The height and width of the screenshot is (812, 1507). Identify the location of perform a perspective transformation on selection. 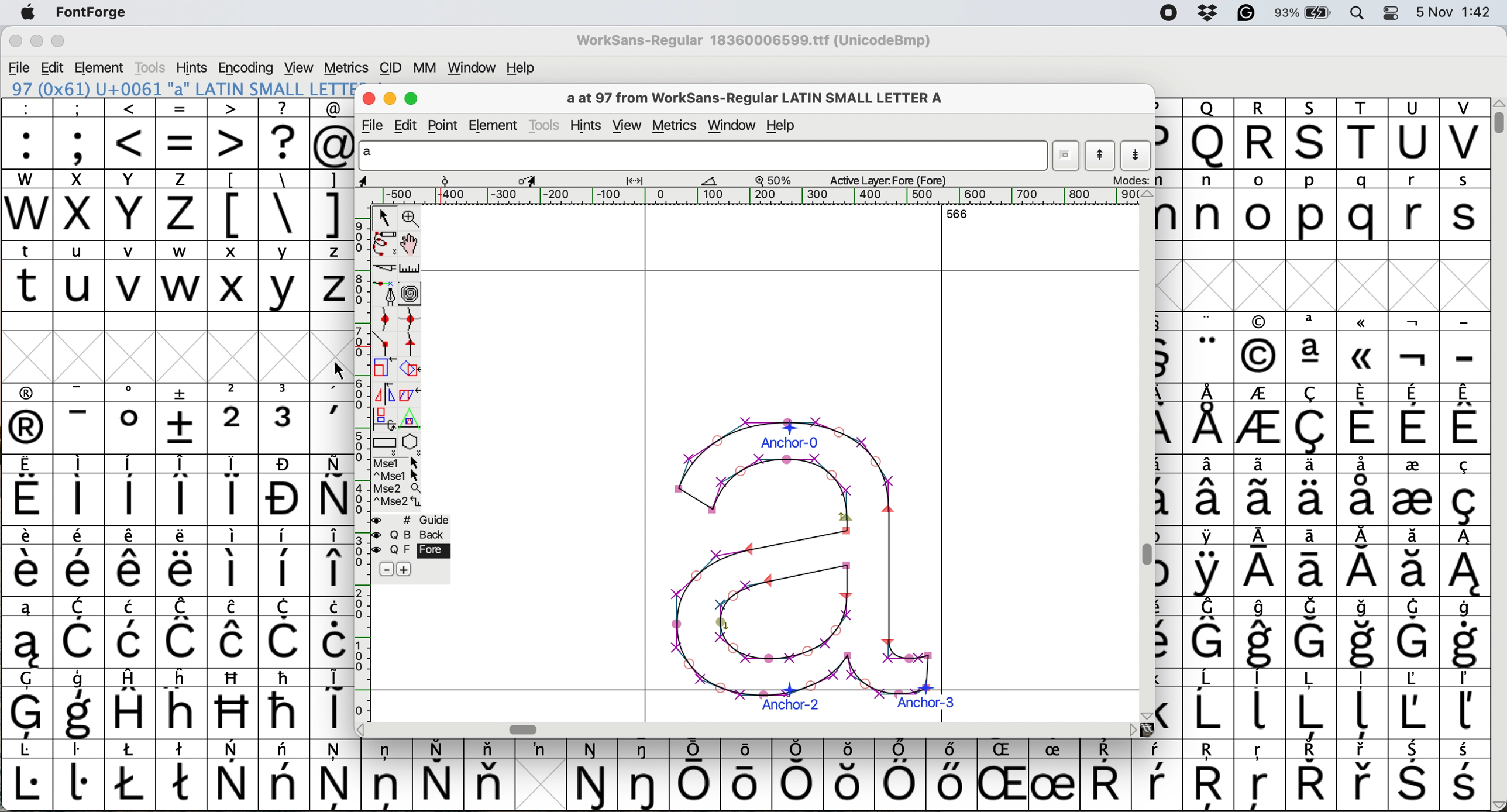
(410, 419).